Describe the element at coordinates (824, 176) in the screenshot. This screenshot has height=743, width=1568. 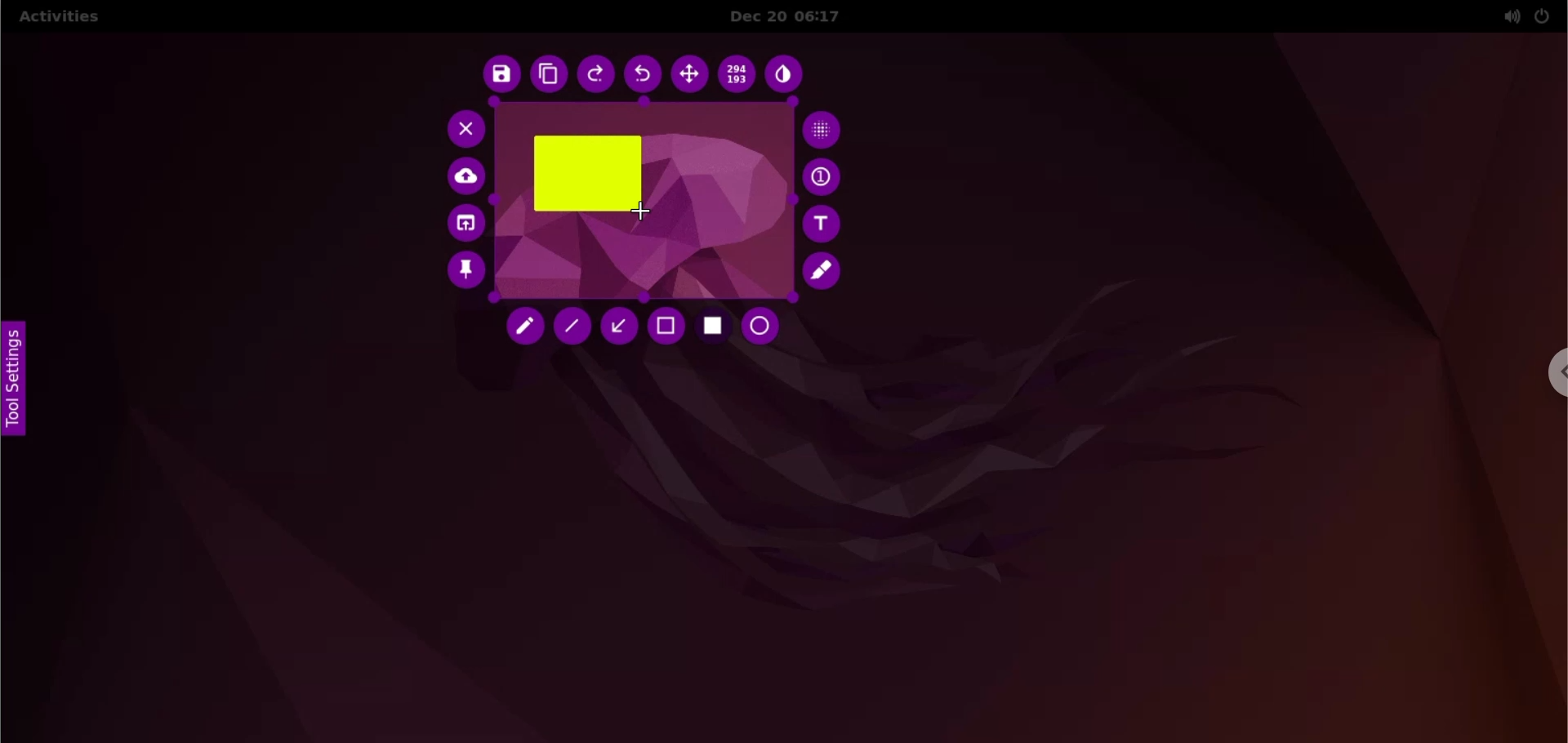
I see `auto increment` at that location.